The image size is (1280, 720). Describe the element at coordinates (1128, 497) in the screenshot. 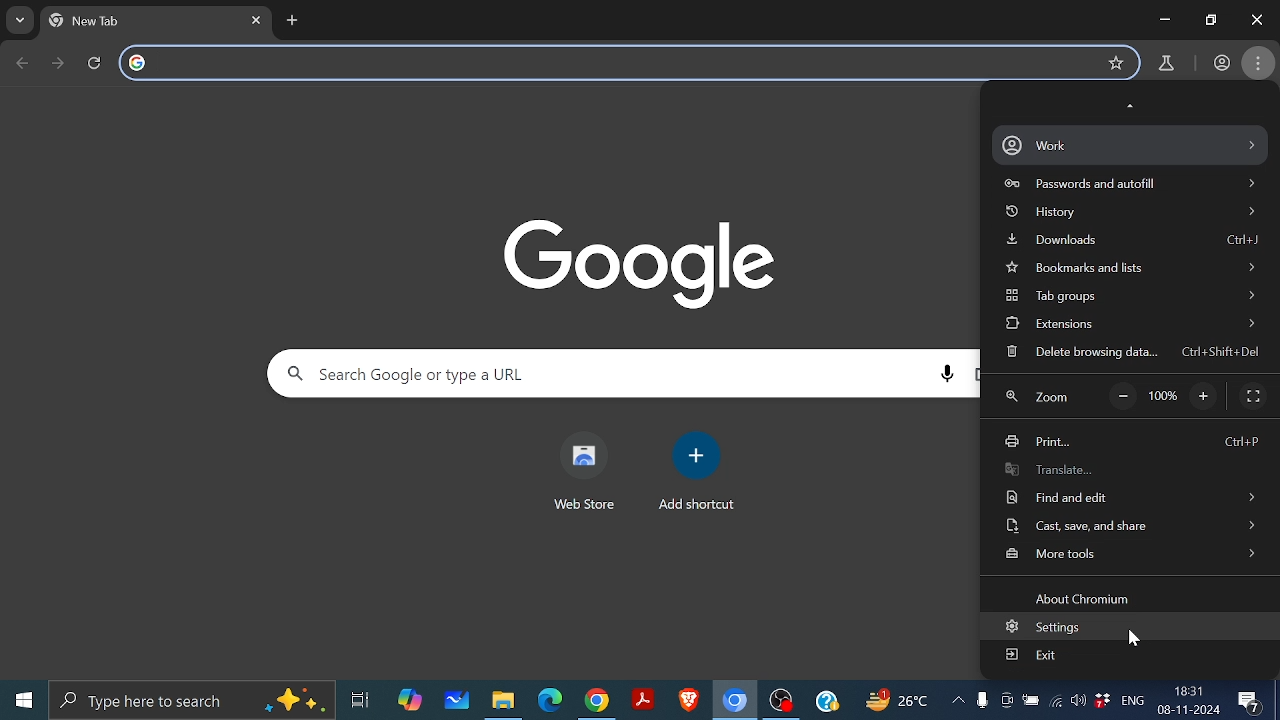

I see `Find and edit` at that location.